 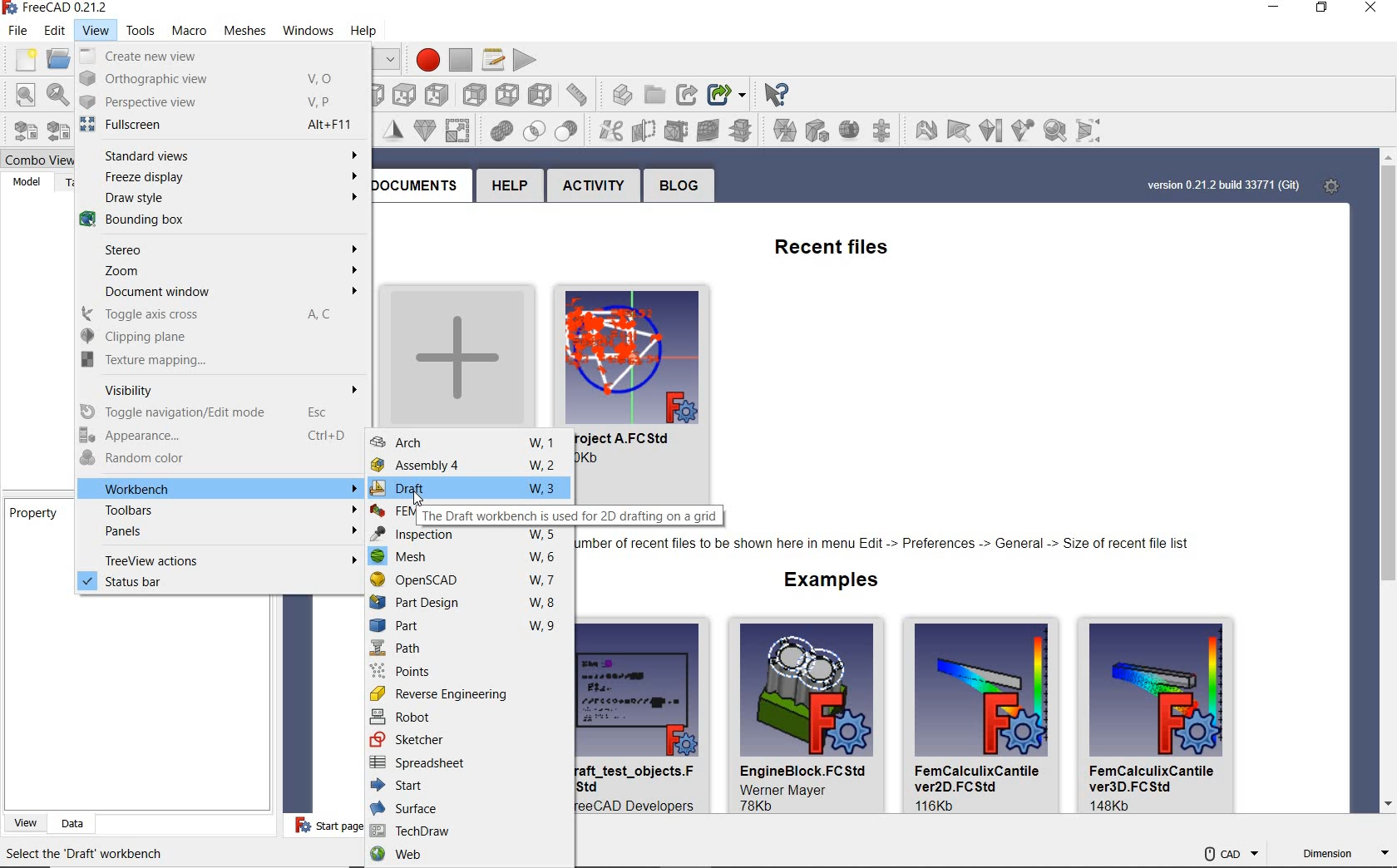 I want to click on data, so click(x=68, y=823).